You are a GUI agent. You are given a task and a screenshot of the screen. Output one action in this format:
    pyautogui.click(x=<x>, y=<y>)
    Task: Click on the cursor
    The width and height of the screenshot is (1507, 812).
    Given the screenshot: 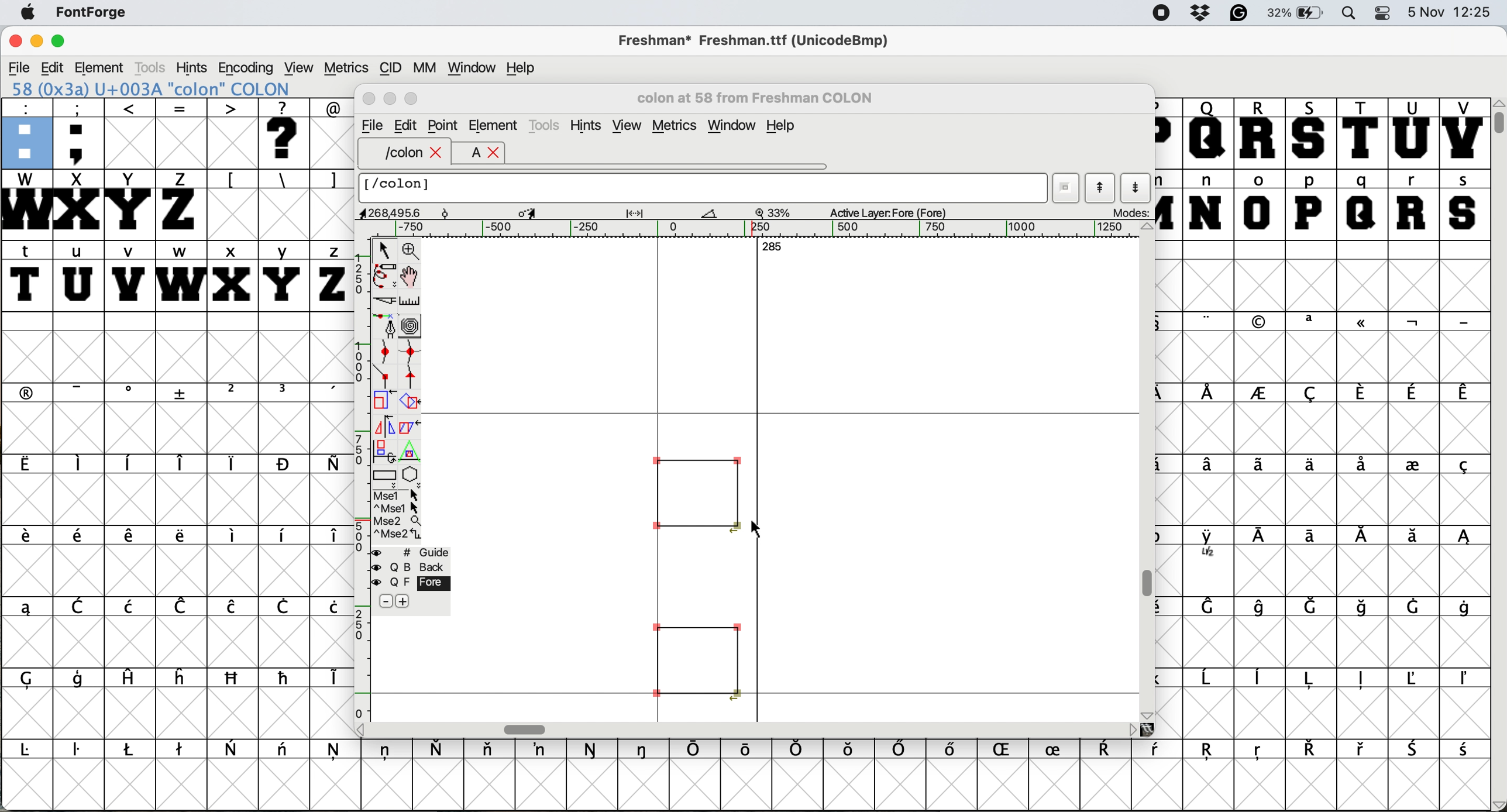 What is the action you would take?
    pyautogui.click(x=759, y=528)
    